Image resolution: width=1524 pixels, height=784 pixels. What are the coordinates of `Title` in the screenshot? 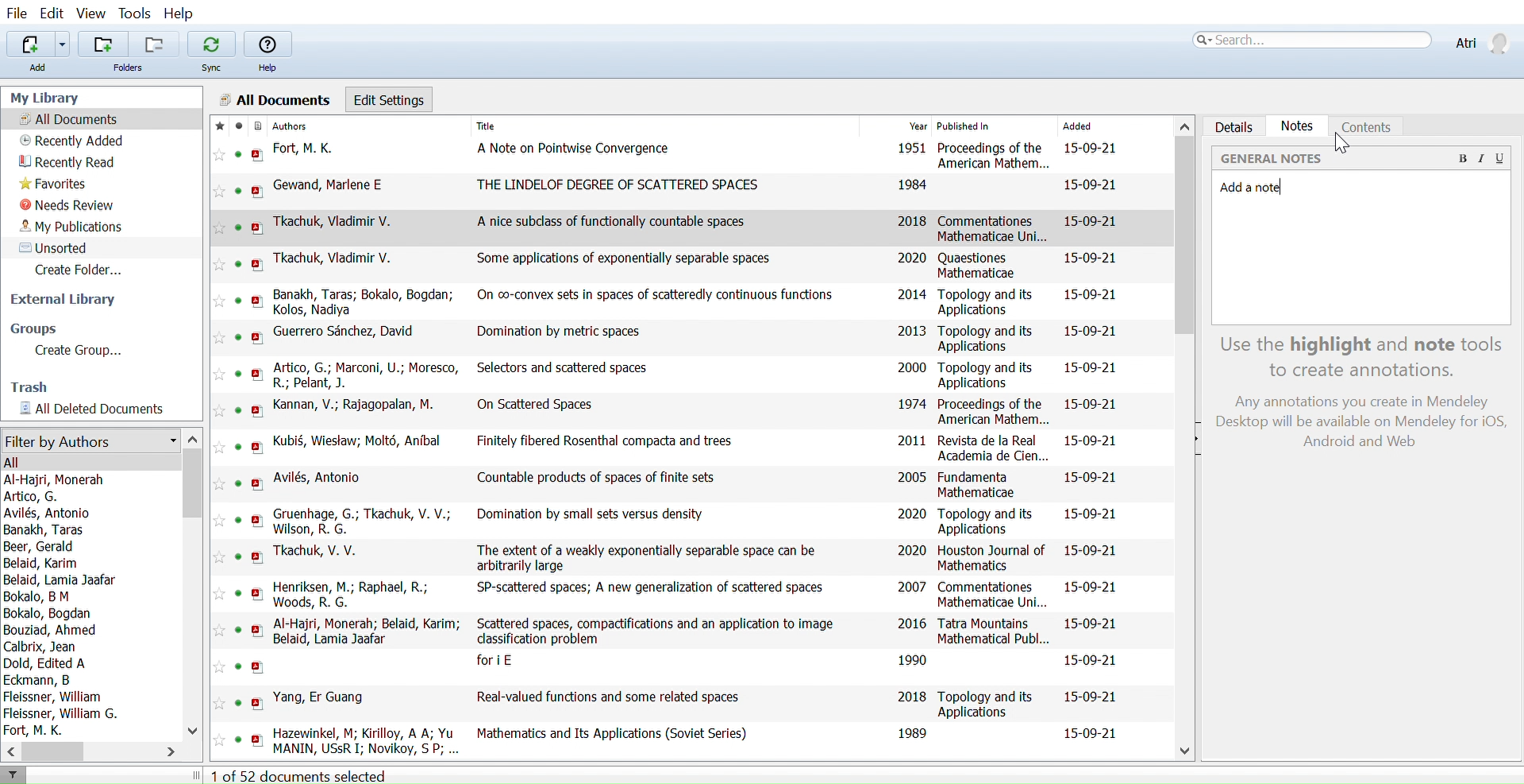 It's located at (486, 125).